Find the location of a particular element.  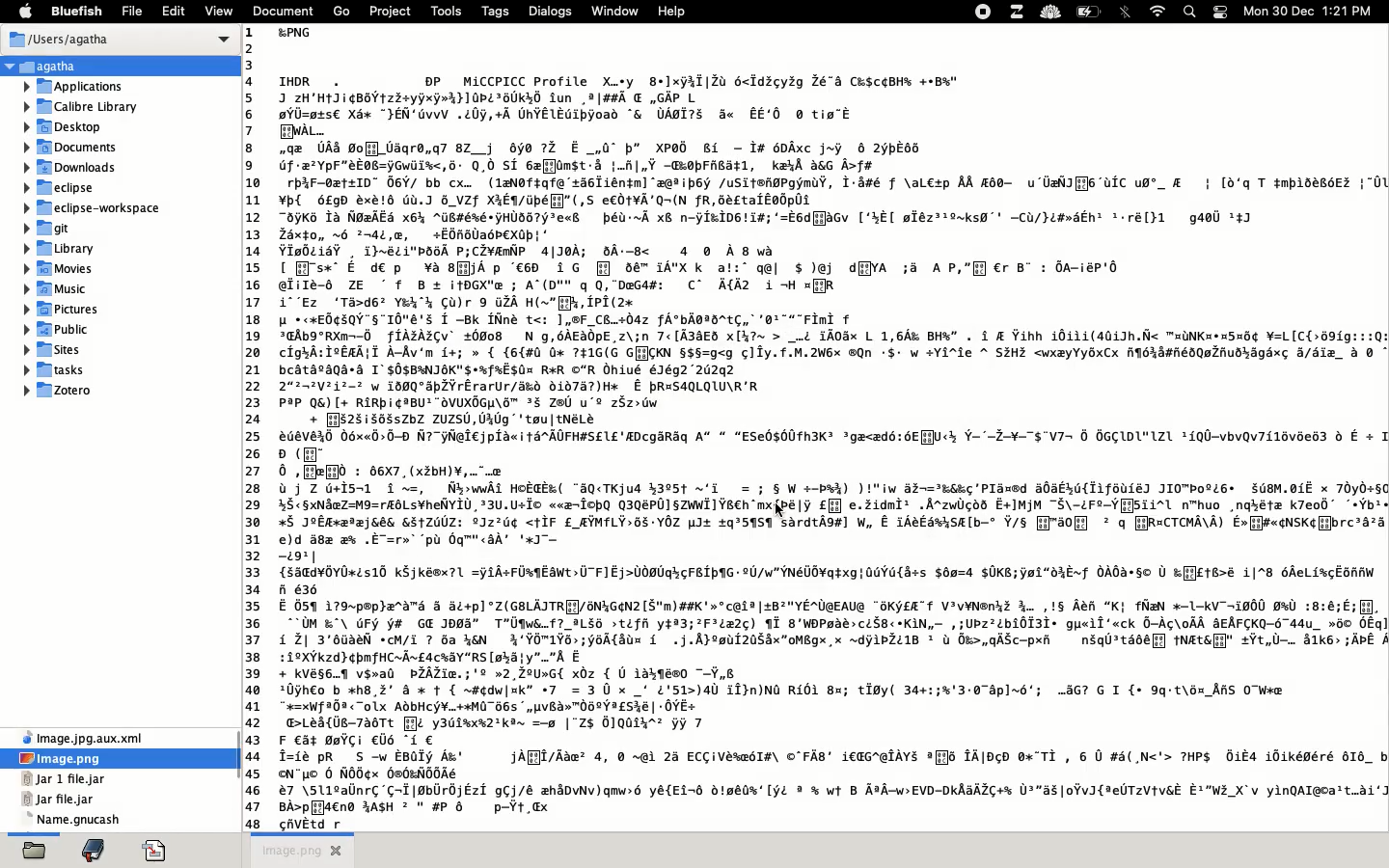

view is located at coordinates (221, 13).